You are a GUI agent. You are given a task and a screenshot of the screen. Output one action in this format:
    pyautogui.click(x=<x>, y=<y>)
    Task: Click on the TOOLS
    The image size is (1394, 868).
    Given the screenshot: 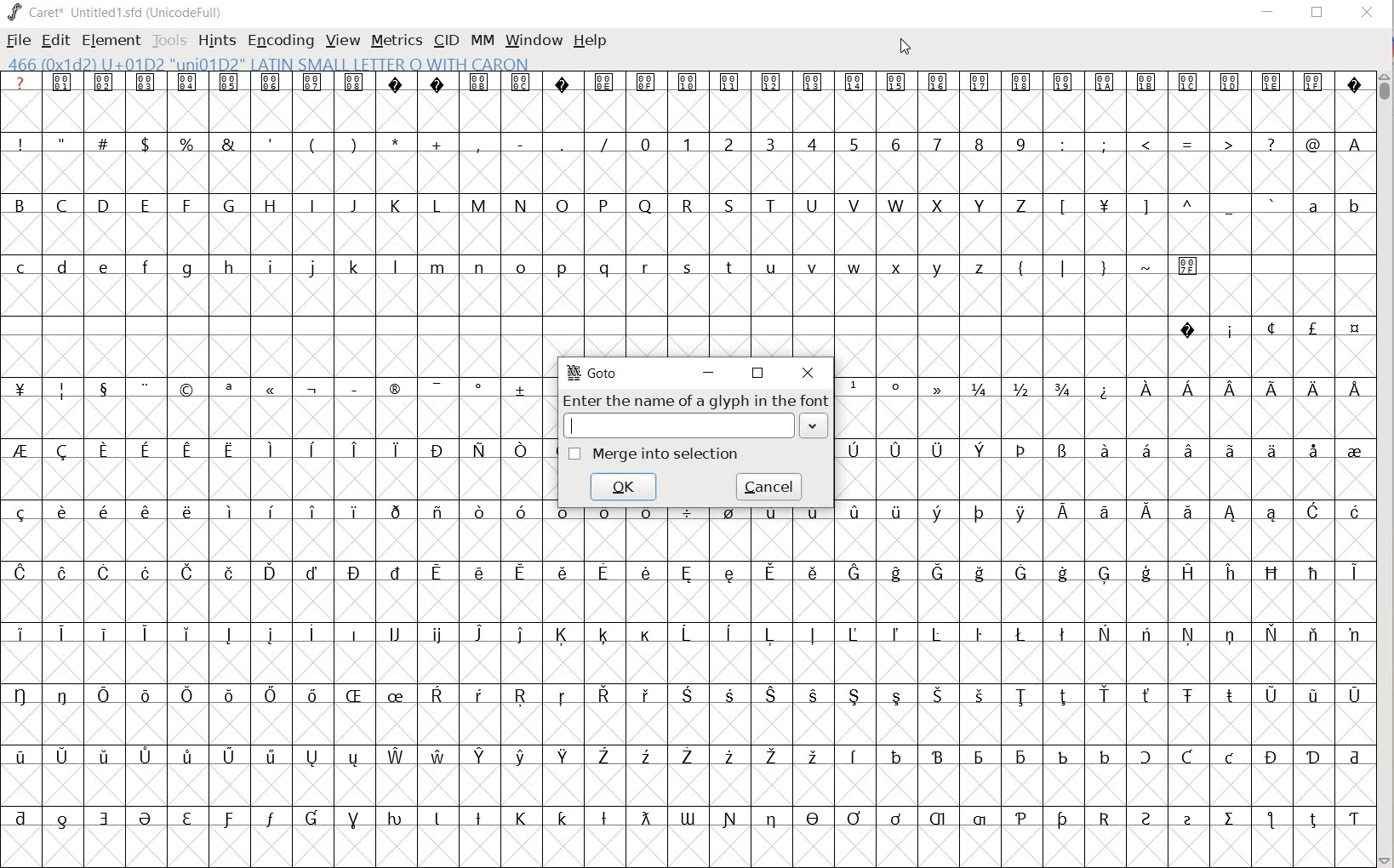 What is the action you would take?
    pyautogui.click(x=169, y=40)
    